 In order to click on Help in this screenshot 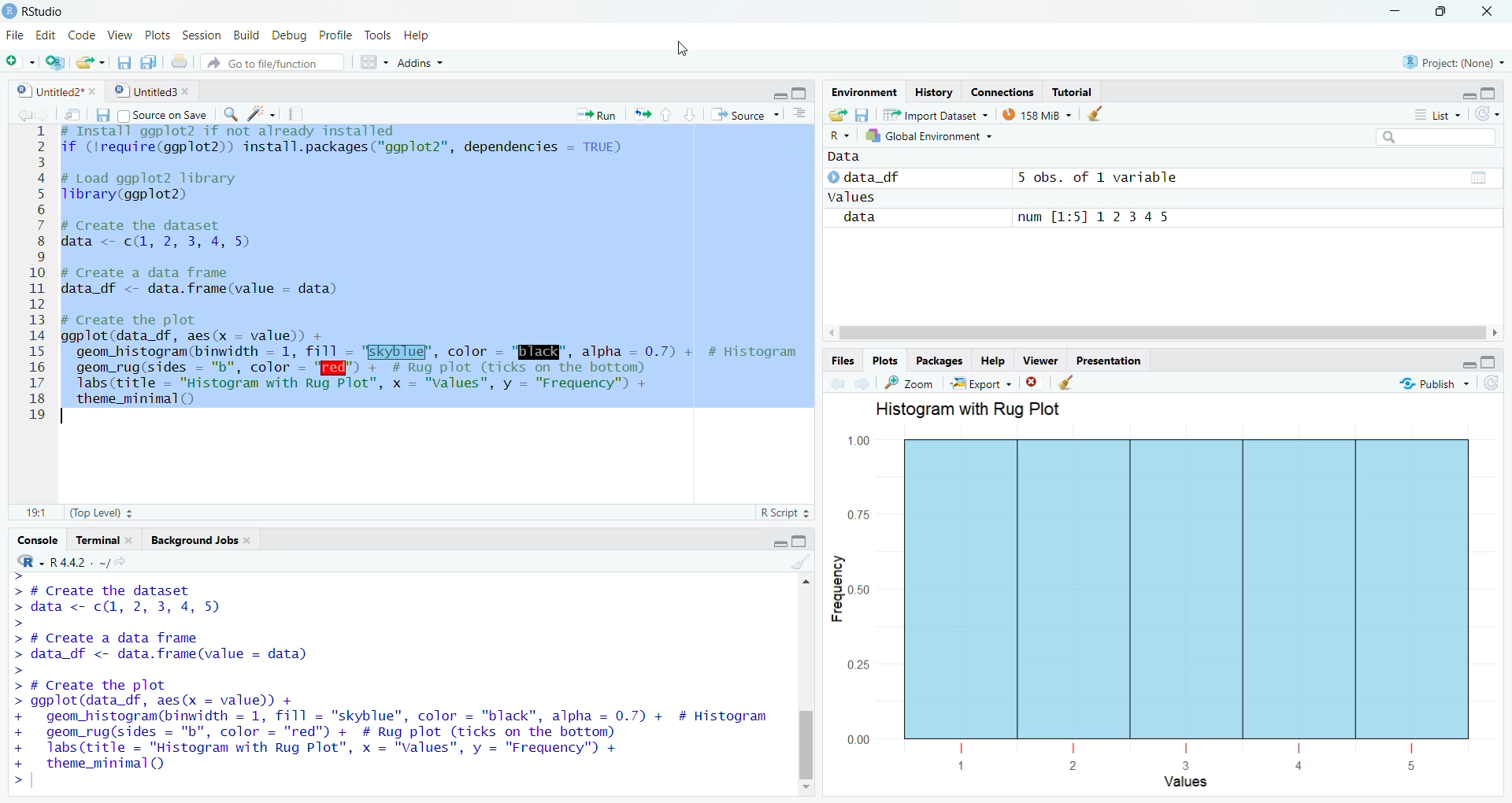, I will do `click(987, 361)`.